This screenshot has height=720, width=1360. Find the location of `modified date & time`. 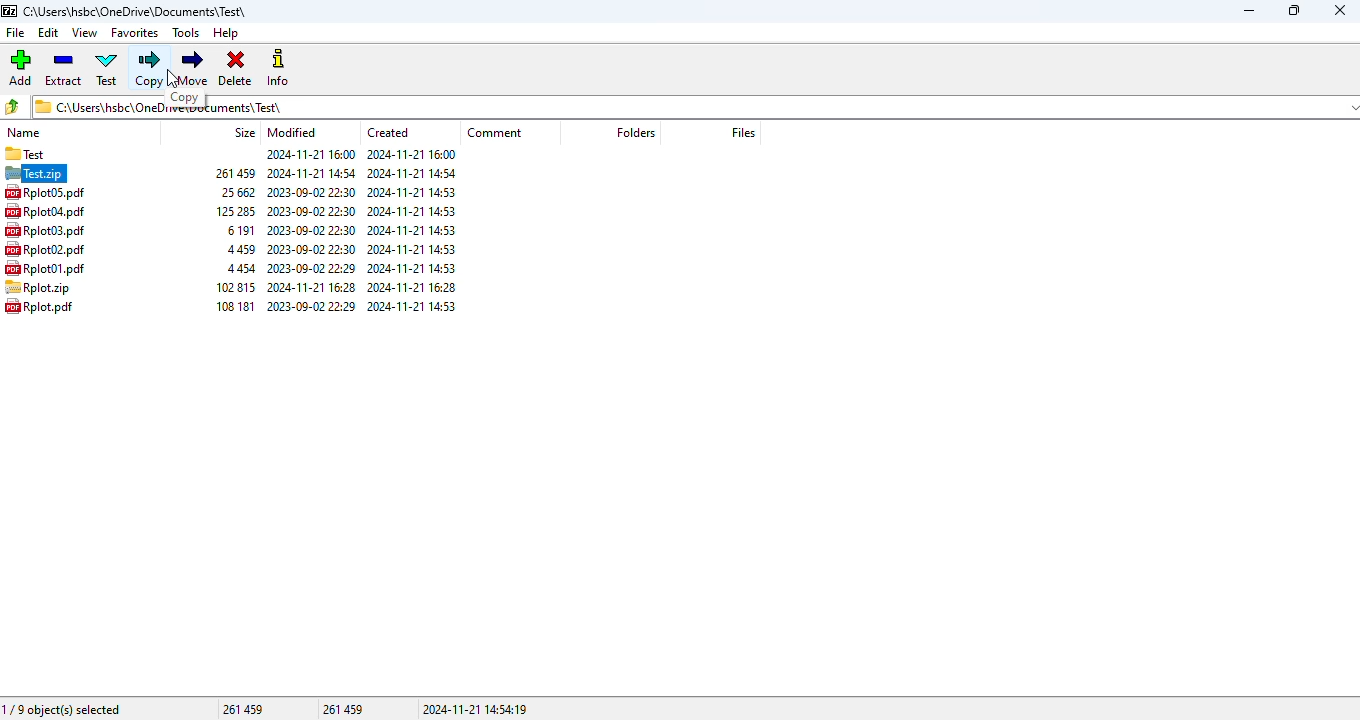

modified date & time is located at coordinates (310, 173).